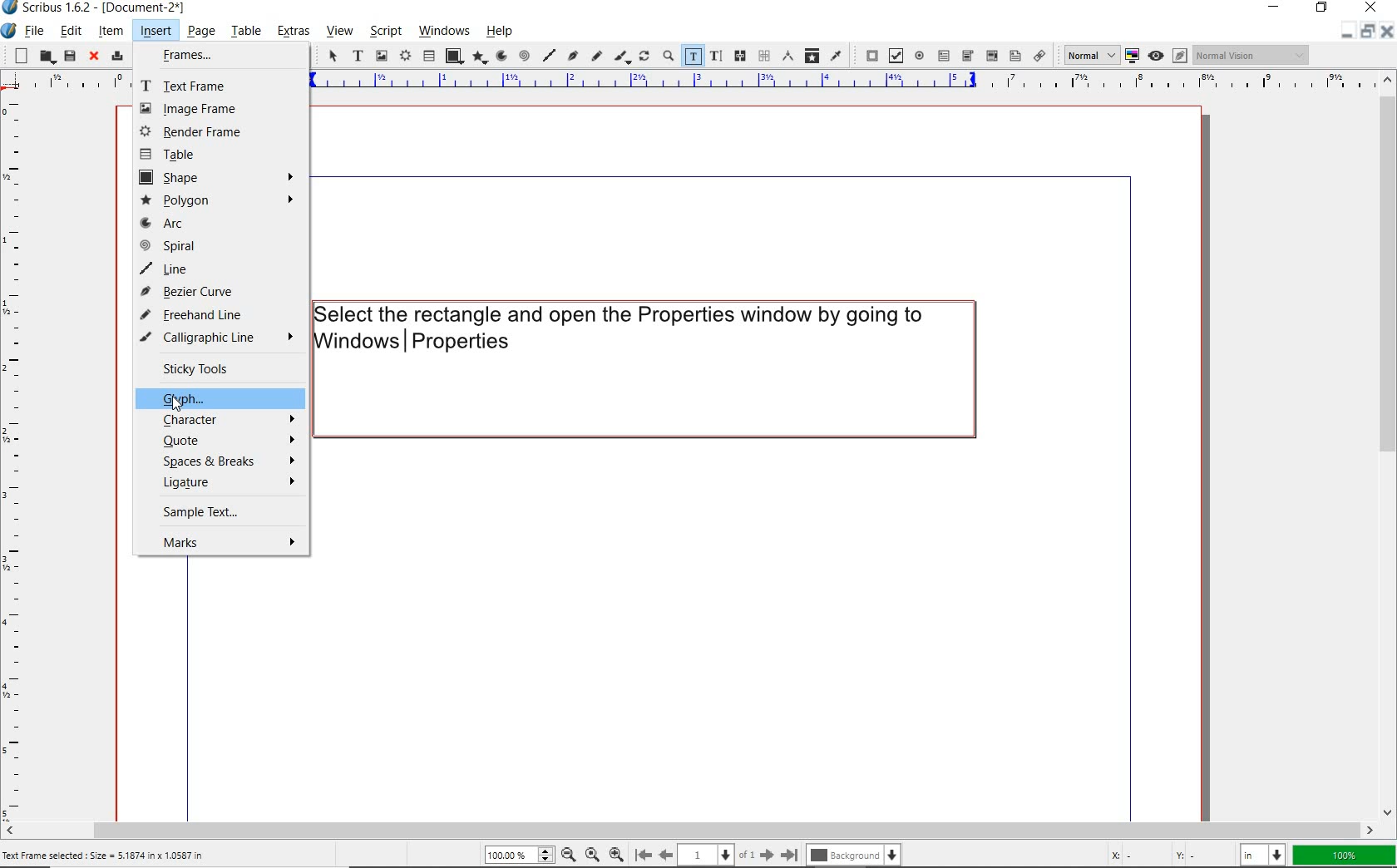 This screenshot has height=868, width=1397. I want to click on spiral, so click(206, 244).